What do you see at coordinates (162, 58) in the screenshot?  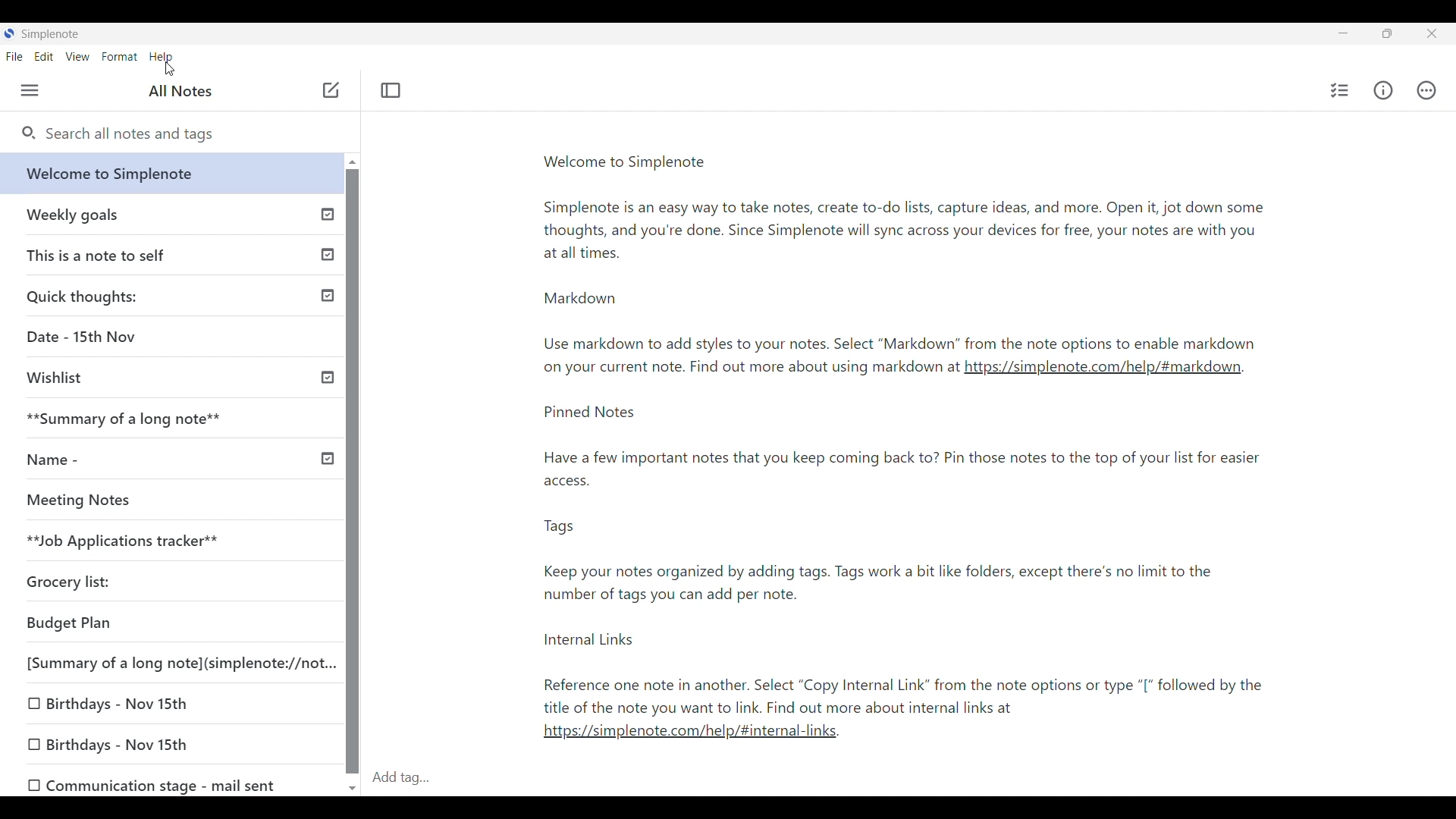 I see `Help menu` at bounding box center [162, 58].